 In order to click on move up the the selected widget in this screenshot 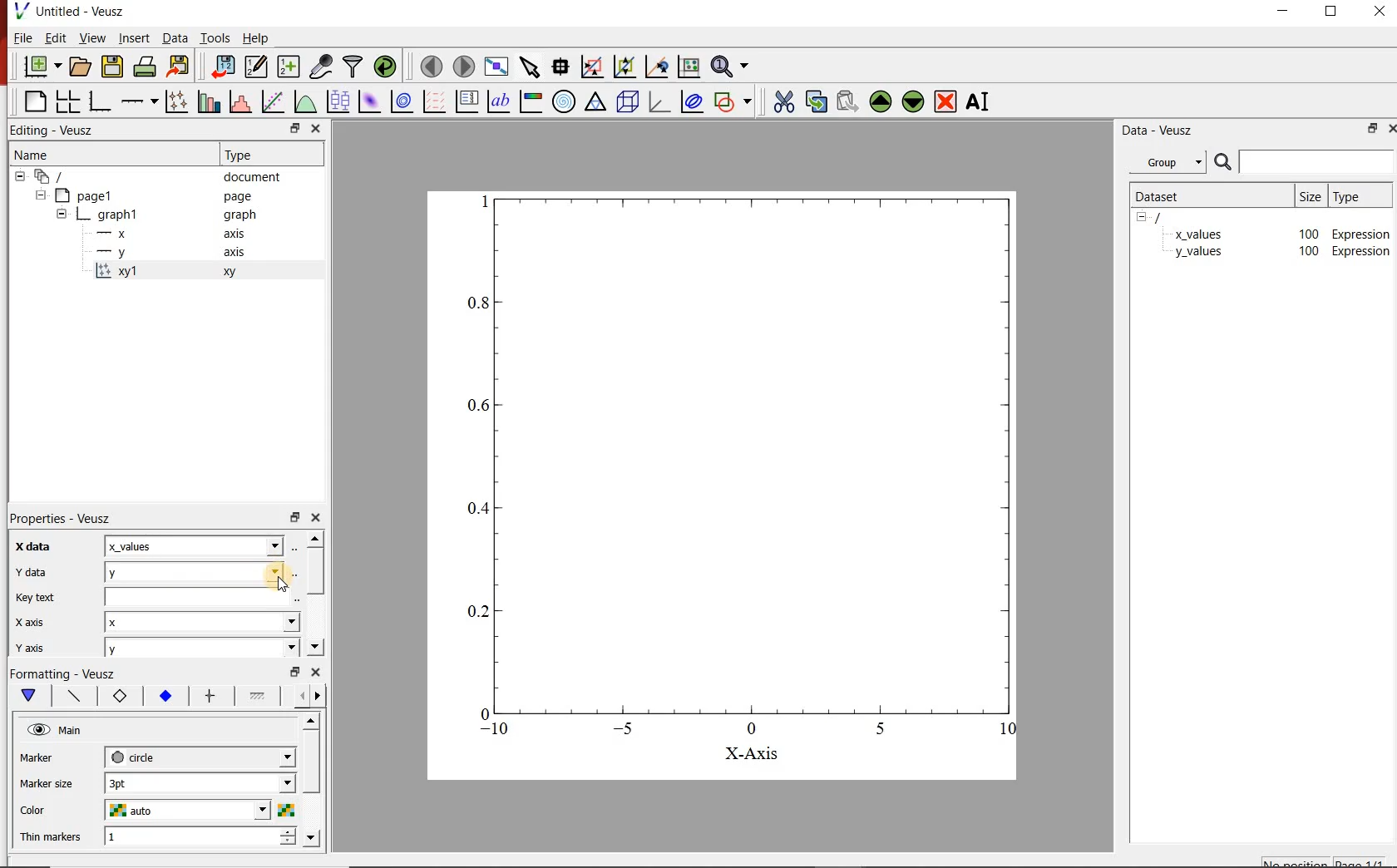, I will do `click(878, 103)`.